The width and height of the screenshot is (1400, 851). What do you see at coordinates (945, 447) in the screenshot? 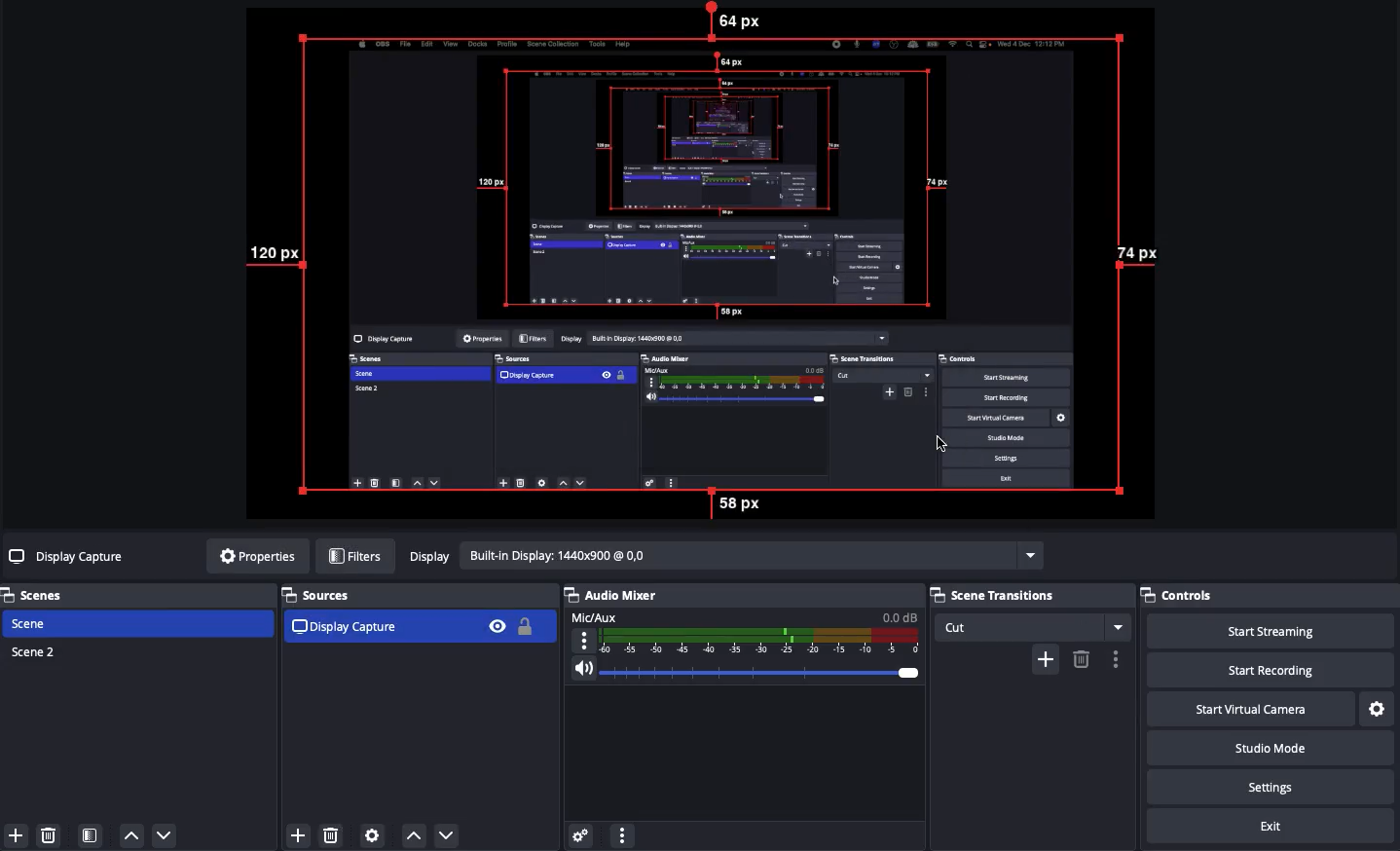
I see `cursor` at bounding box center [945, 447].